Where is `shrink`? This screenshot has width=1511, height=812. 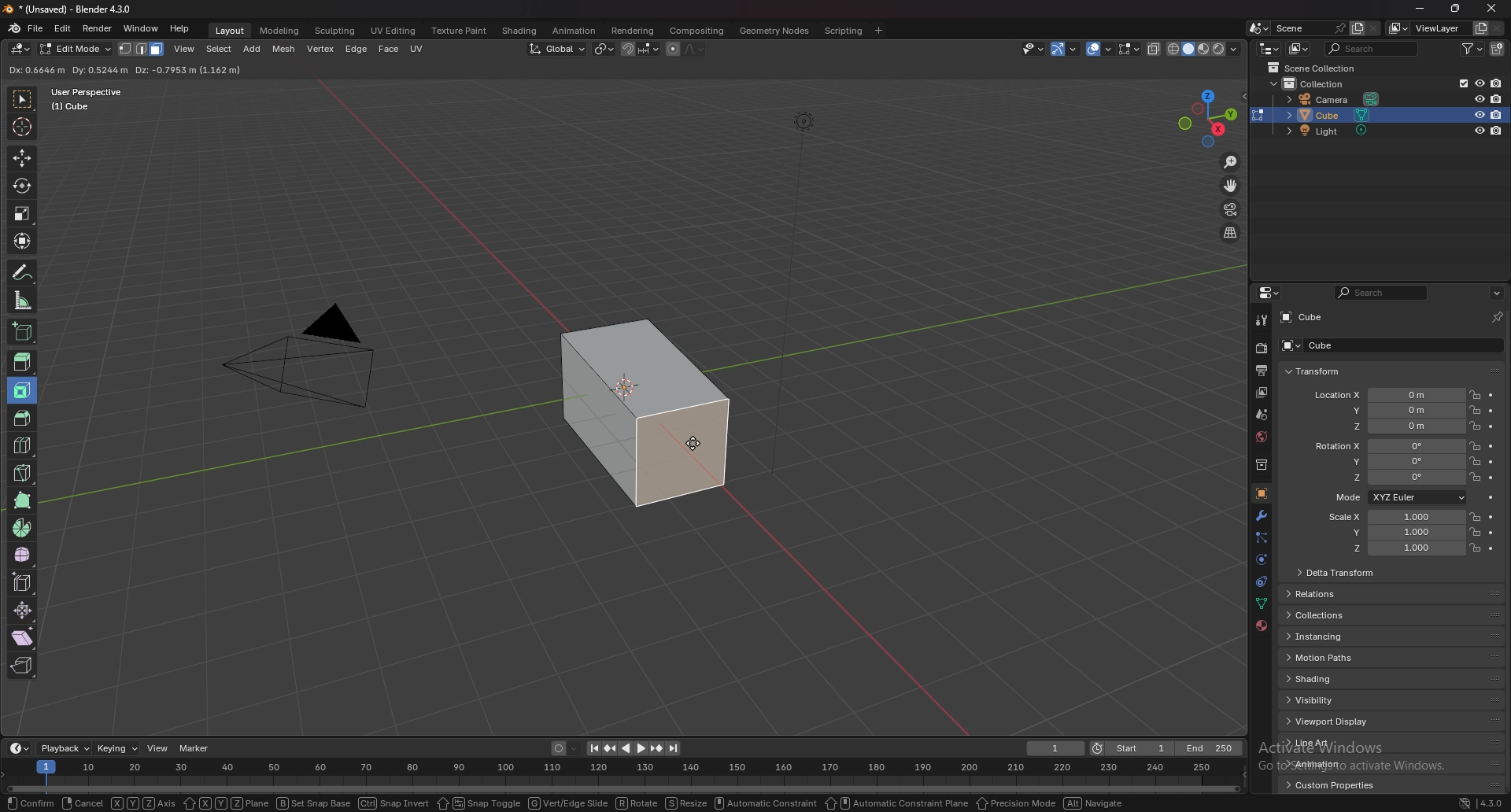
shrink is located at coordinates (24, 610).